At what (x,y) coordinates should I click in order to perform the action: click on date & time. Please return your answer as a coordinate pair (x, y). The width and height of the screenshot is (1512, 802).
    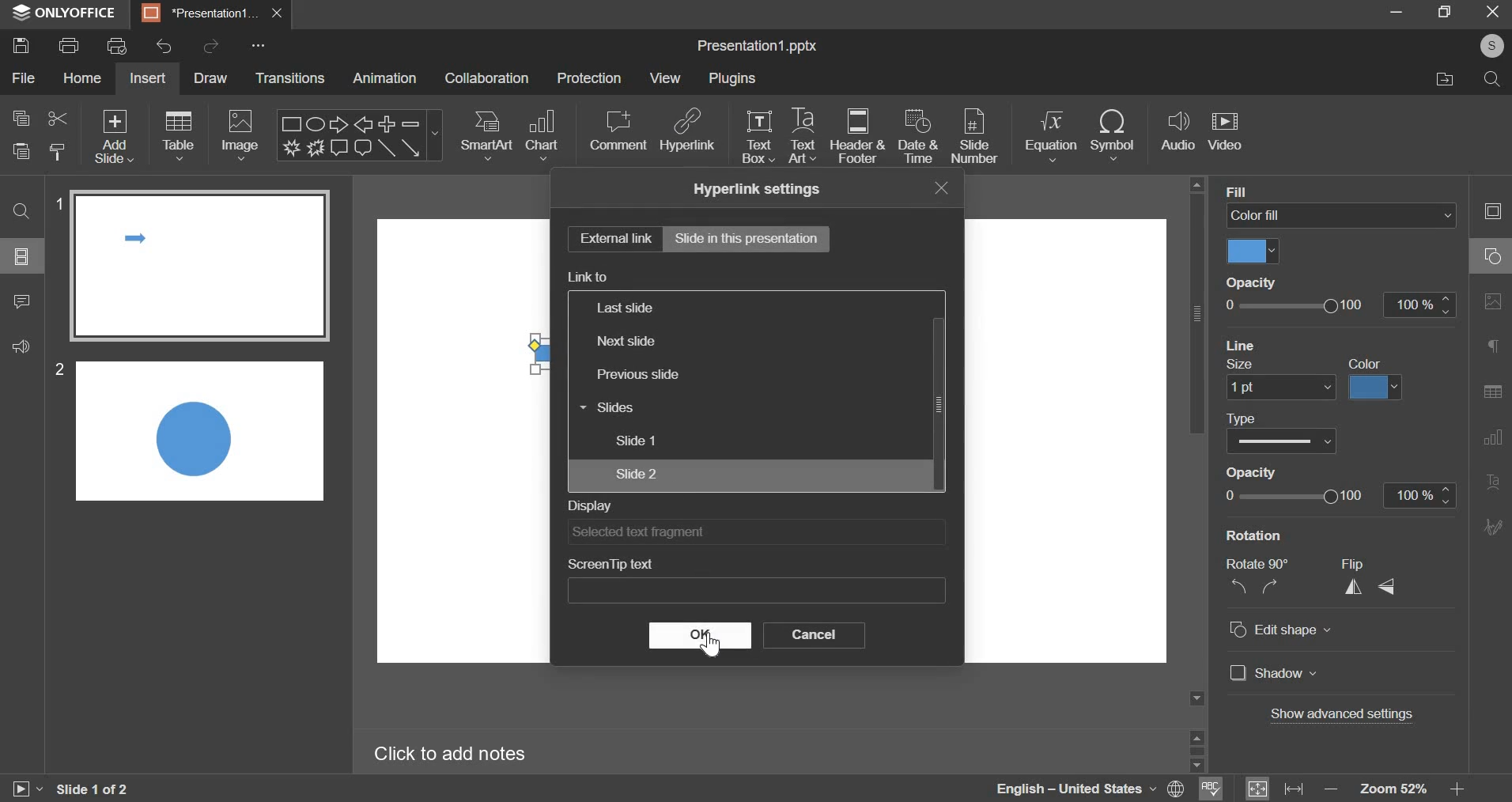
    Looking at the image, I should click on (920, 138).